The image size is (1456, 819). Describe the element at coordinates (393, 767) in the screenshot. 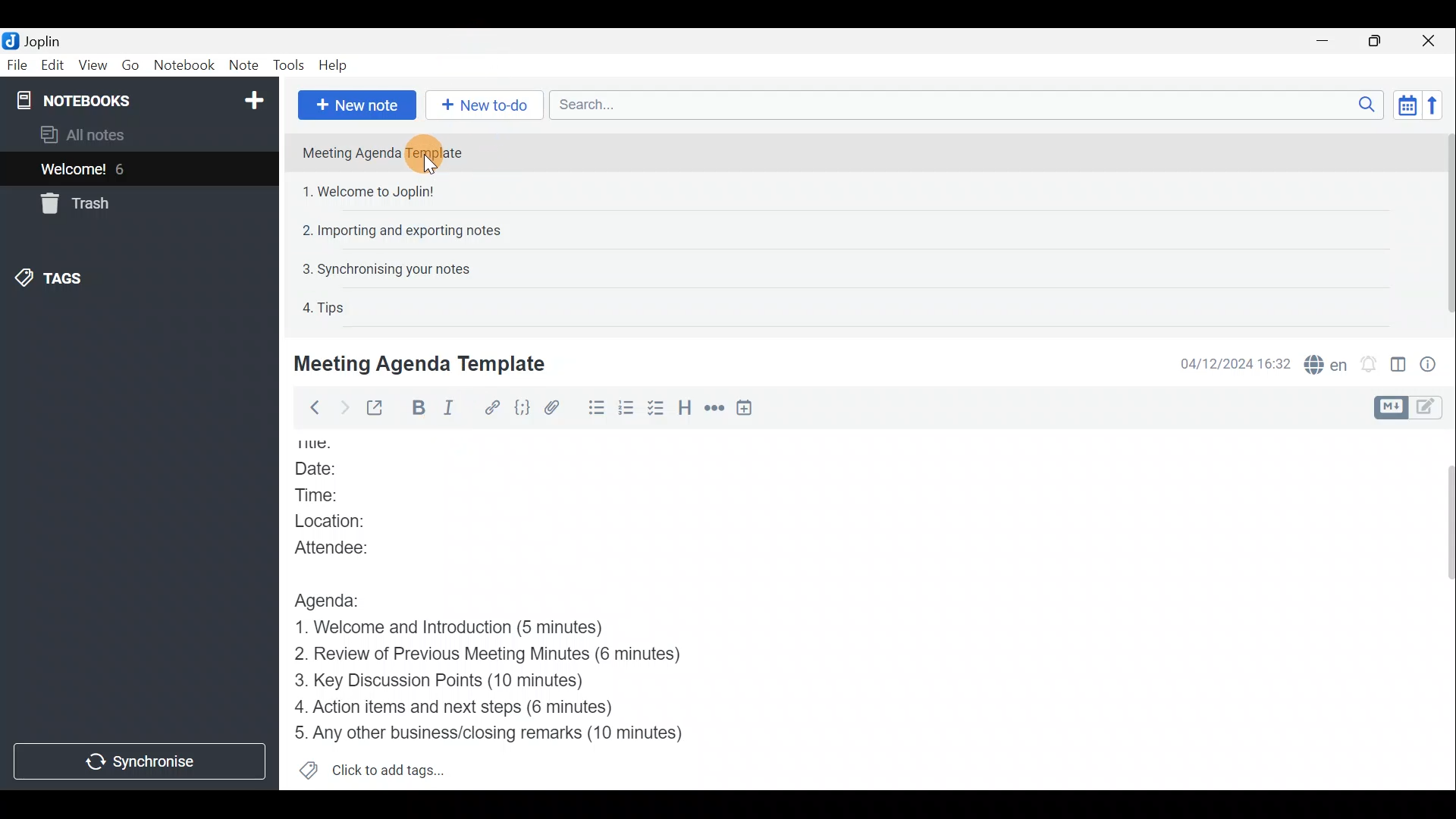

I see `Click to add tags` at that location.